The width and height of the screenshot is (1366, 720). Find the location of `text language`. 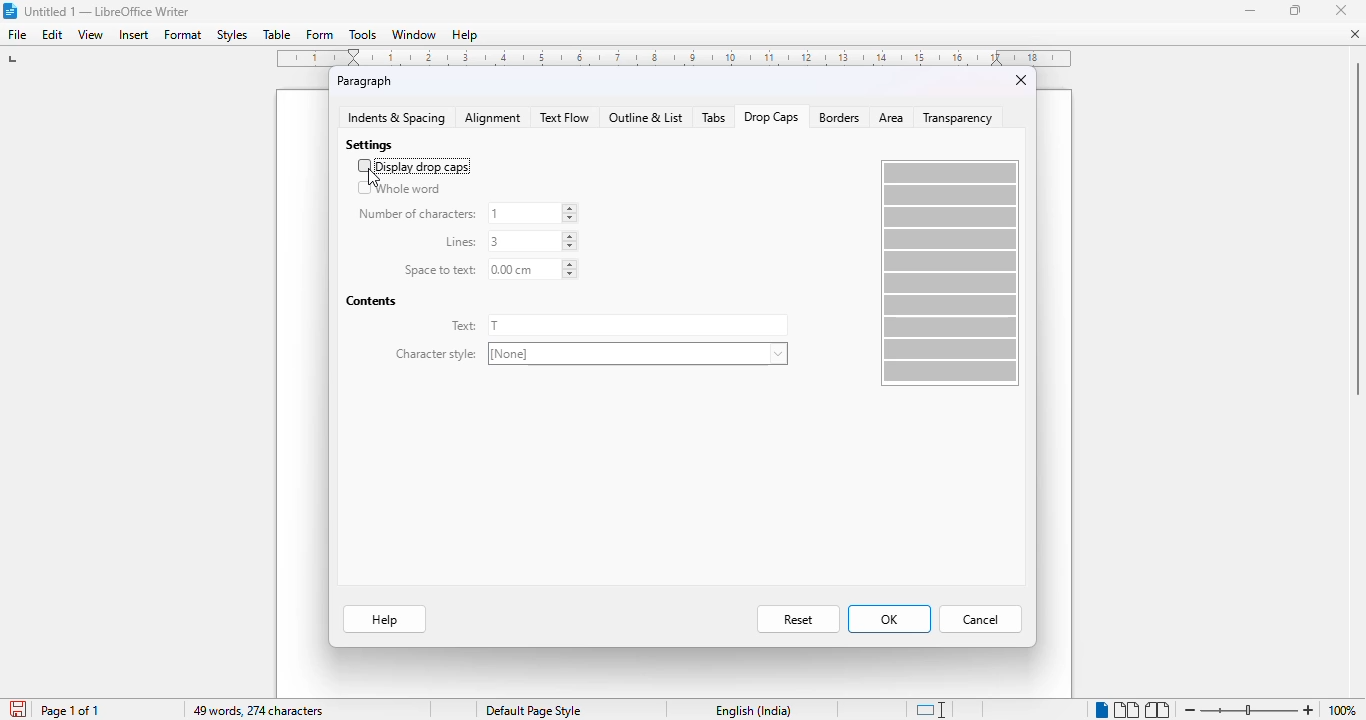

text language is located at coordinates (753, 710).